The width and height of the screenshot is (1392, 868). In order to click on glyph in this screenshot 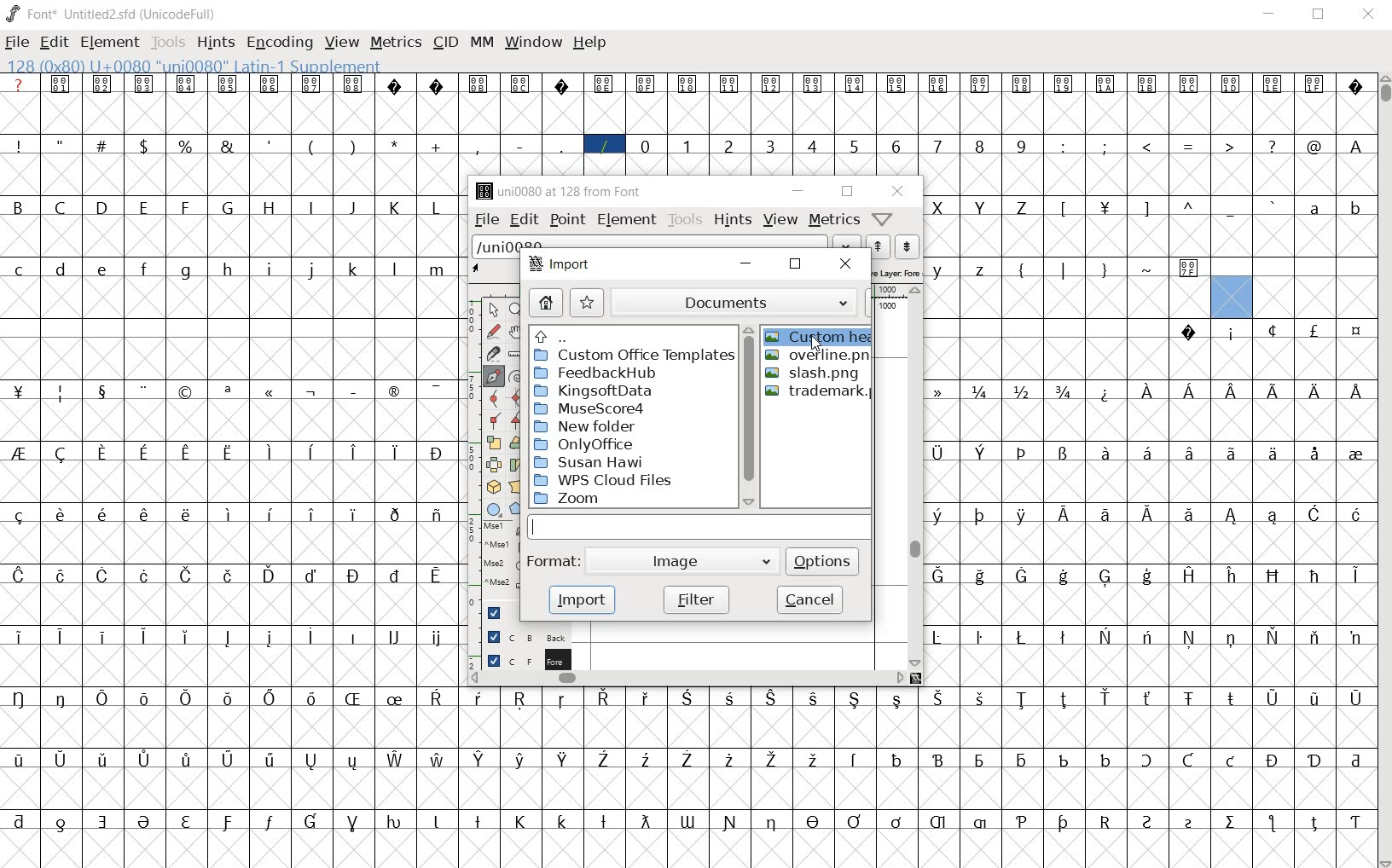, I will do `click(813, 84)`.